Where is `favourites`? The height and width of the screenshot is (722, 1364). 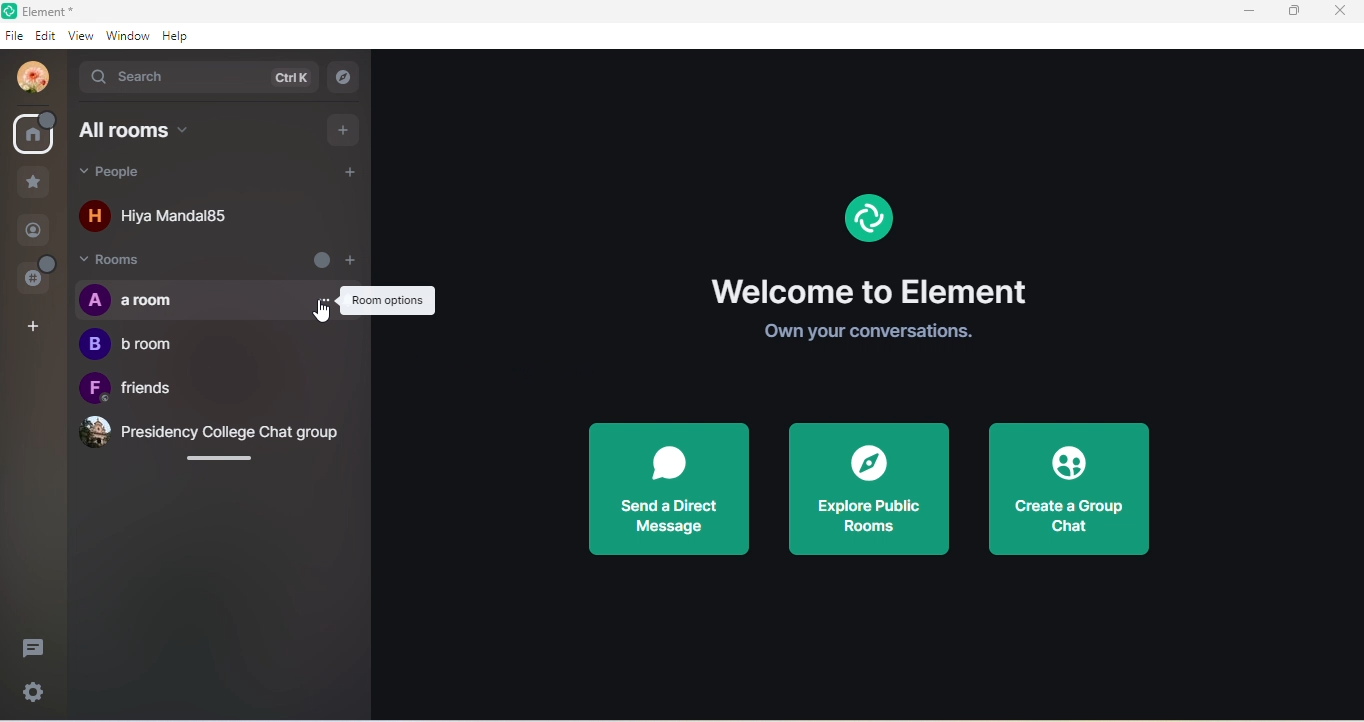 favourites is located at coordinates (34, 183).